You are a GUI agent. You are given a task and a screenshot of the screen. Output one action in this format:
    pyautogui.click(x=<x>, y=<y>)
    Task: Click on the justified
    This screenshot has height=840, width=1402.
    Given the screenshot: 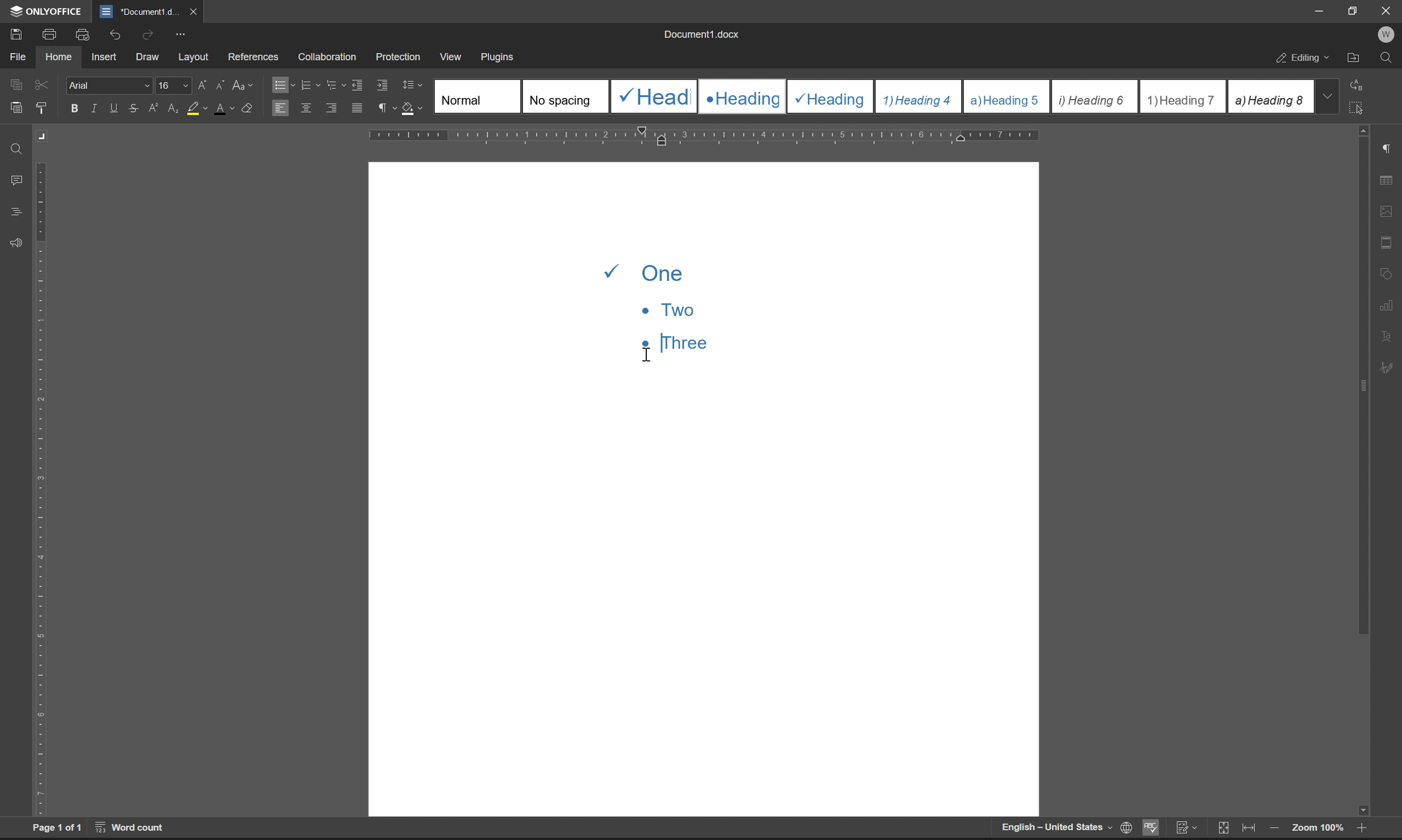 What is the action you would take?
    pyautogui.click(x=358, y=108)
    